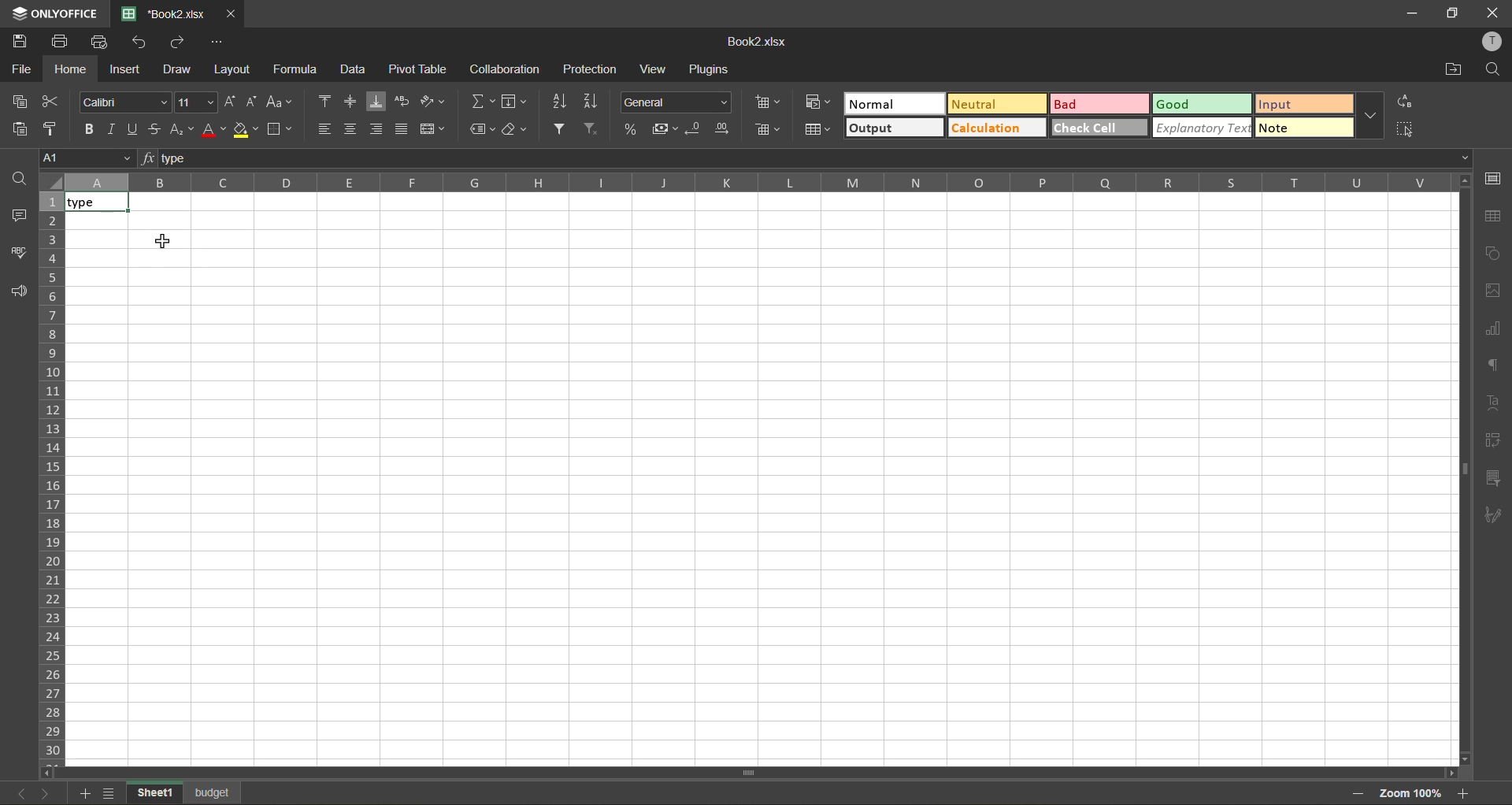 This screenshot has width=1512, height=805. What do you see at coordinates (351, 126) in the screenshot?
I see `align center` at bounding box center [351, 126].